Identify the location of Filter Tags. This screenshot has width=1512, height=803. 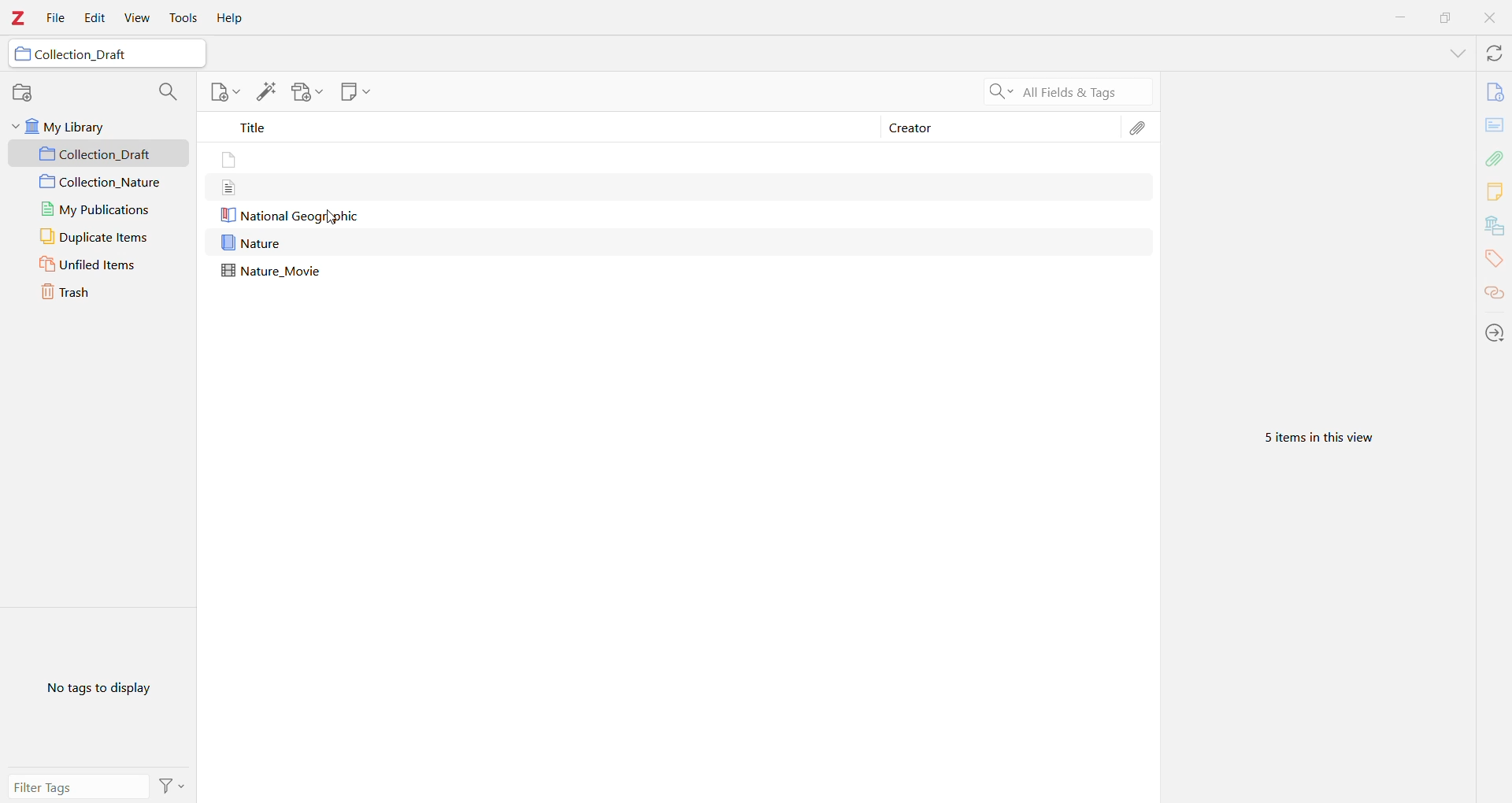
(77, 786).